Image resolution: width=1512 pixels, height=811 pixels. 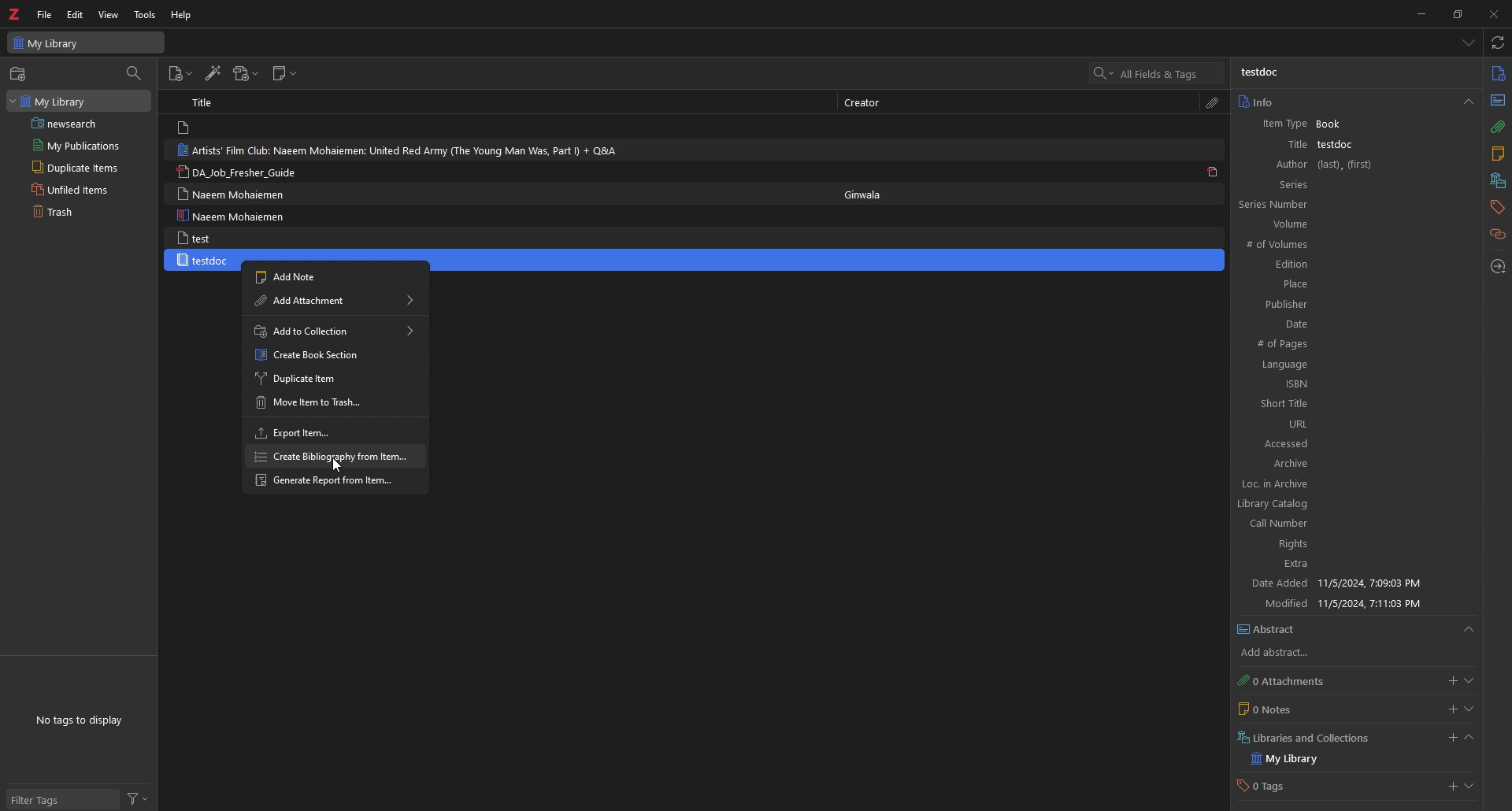 What do you see at coordinates (1353, 184) in the screenshot?
I see `Series` at bounding box center [1353, 184].